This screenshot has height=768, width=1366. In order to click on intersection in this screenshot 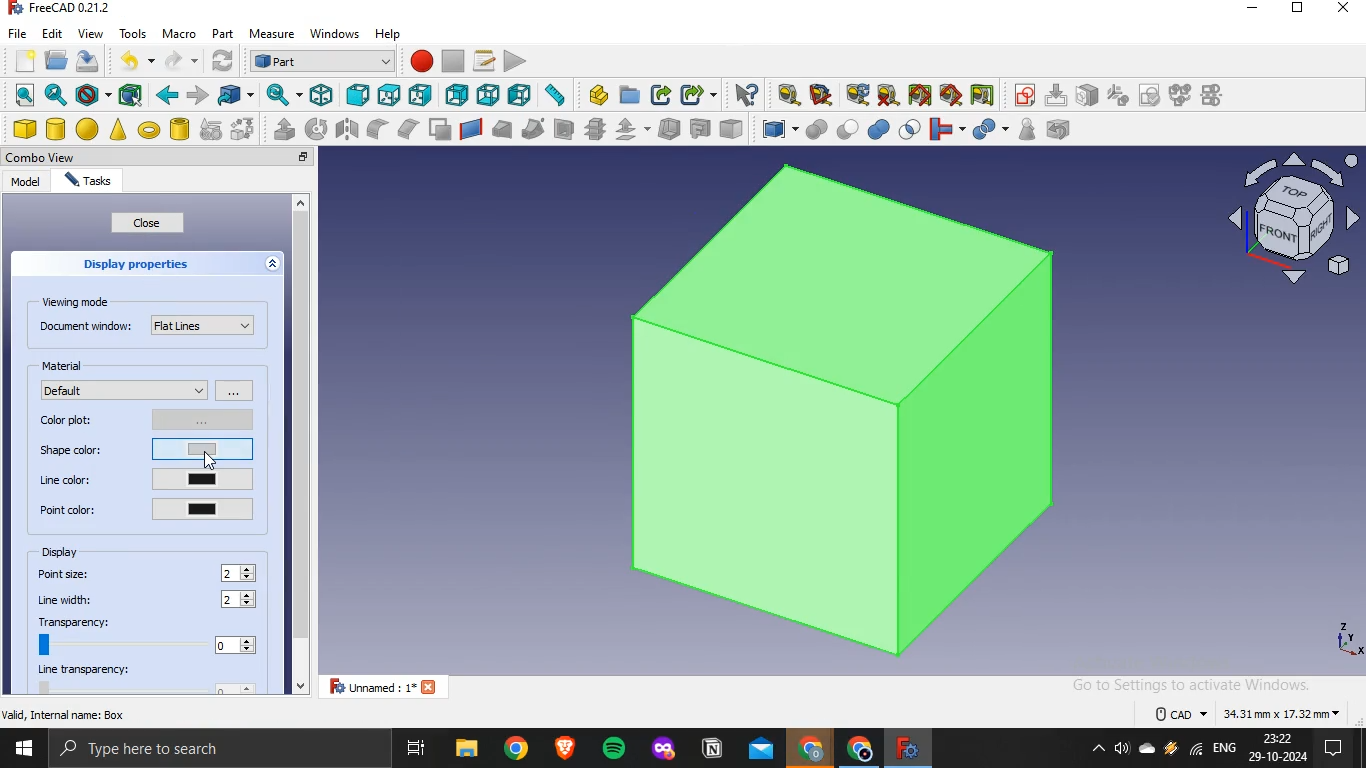, I will do `click(911, 127)`.